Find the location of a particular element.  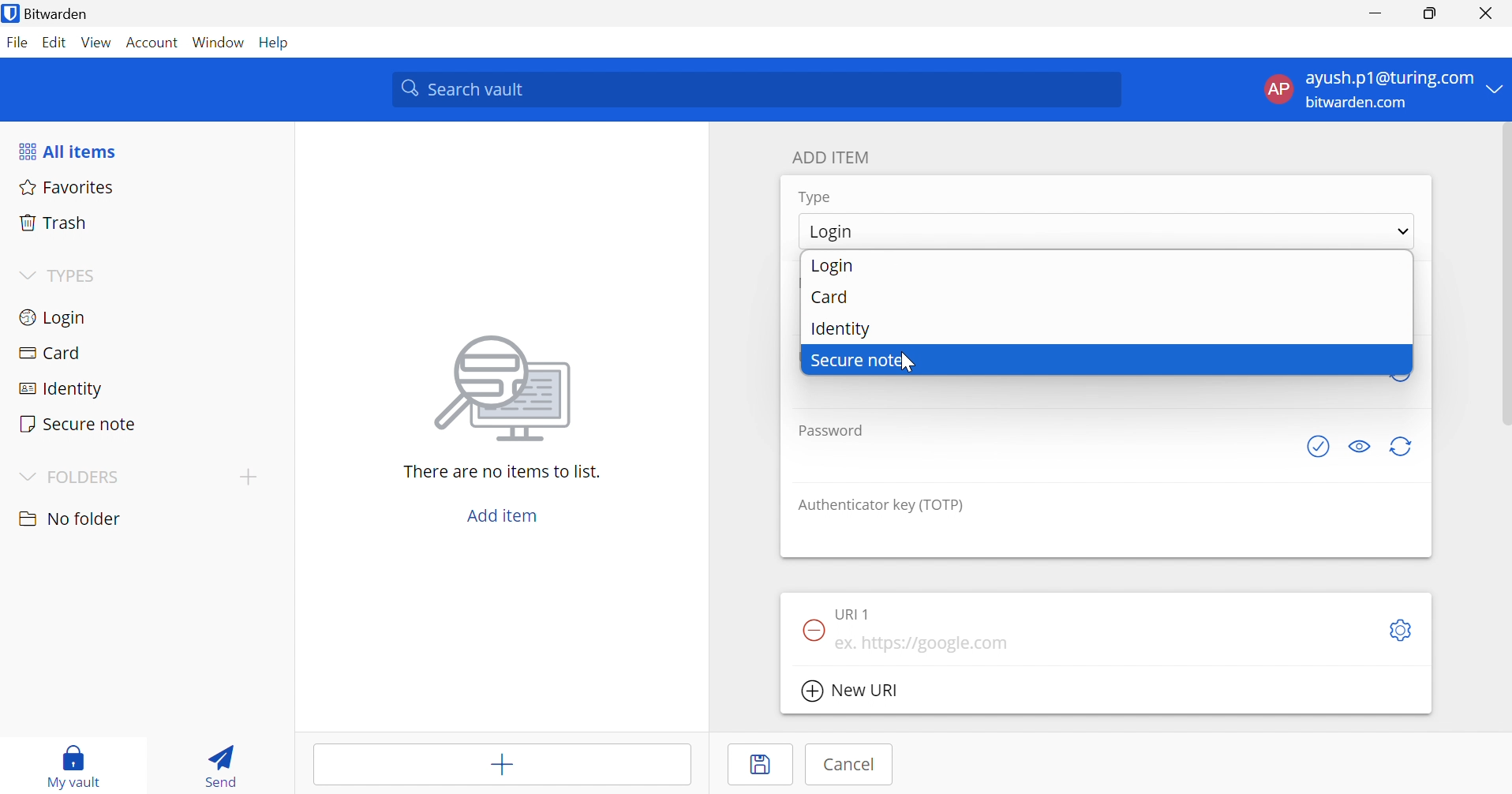

Dropdown is located at coordinates (26, 274).